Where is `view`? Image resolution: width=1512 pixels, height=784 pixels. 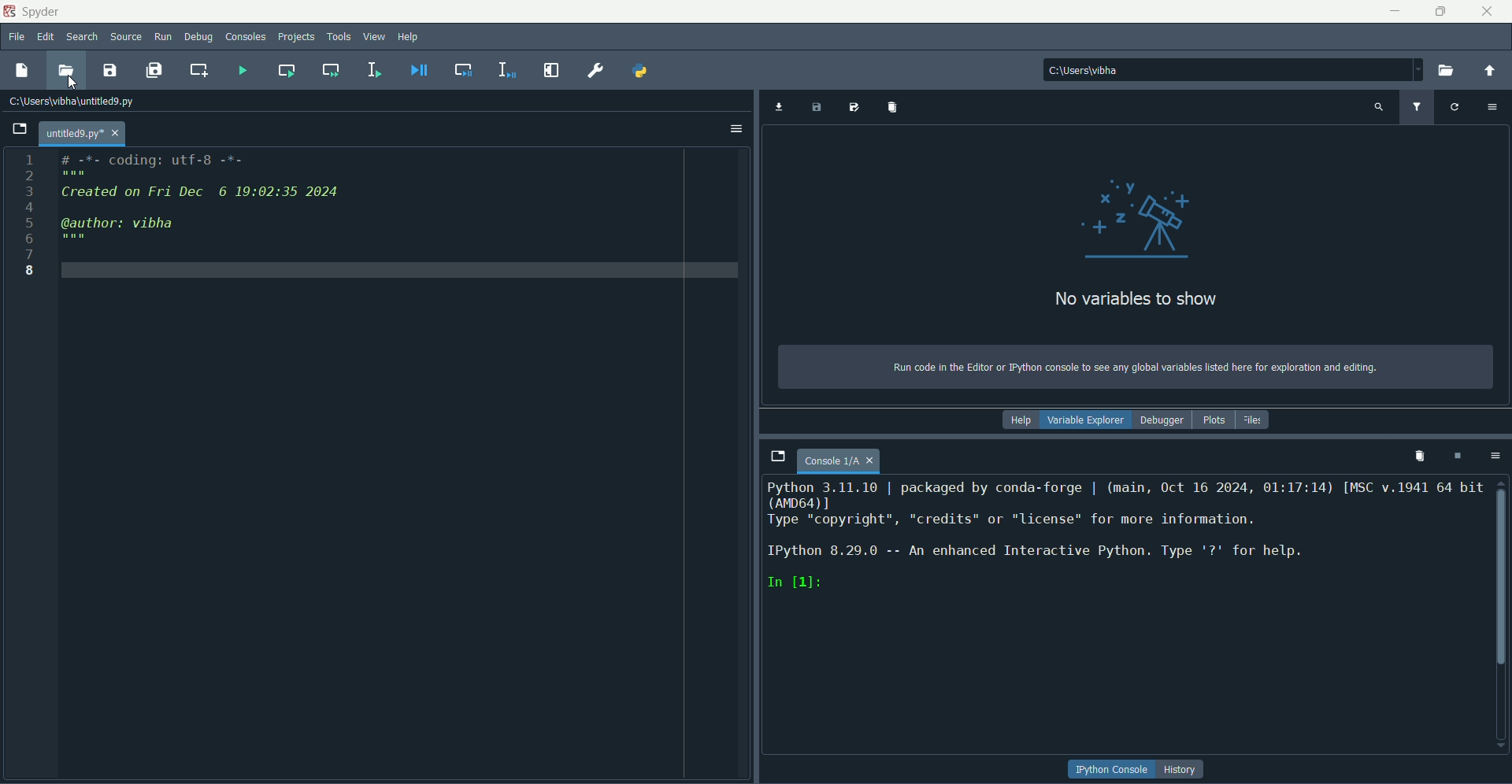 view is located at coordinates (376, 38).